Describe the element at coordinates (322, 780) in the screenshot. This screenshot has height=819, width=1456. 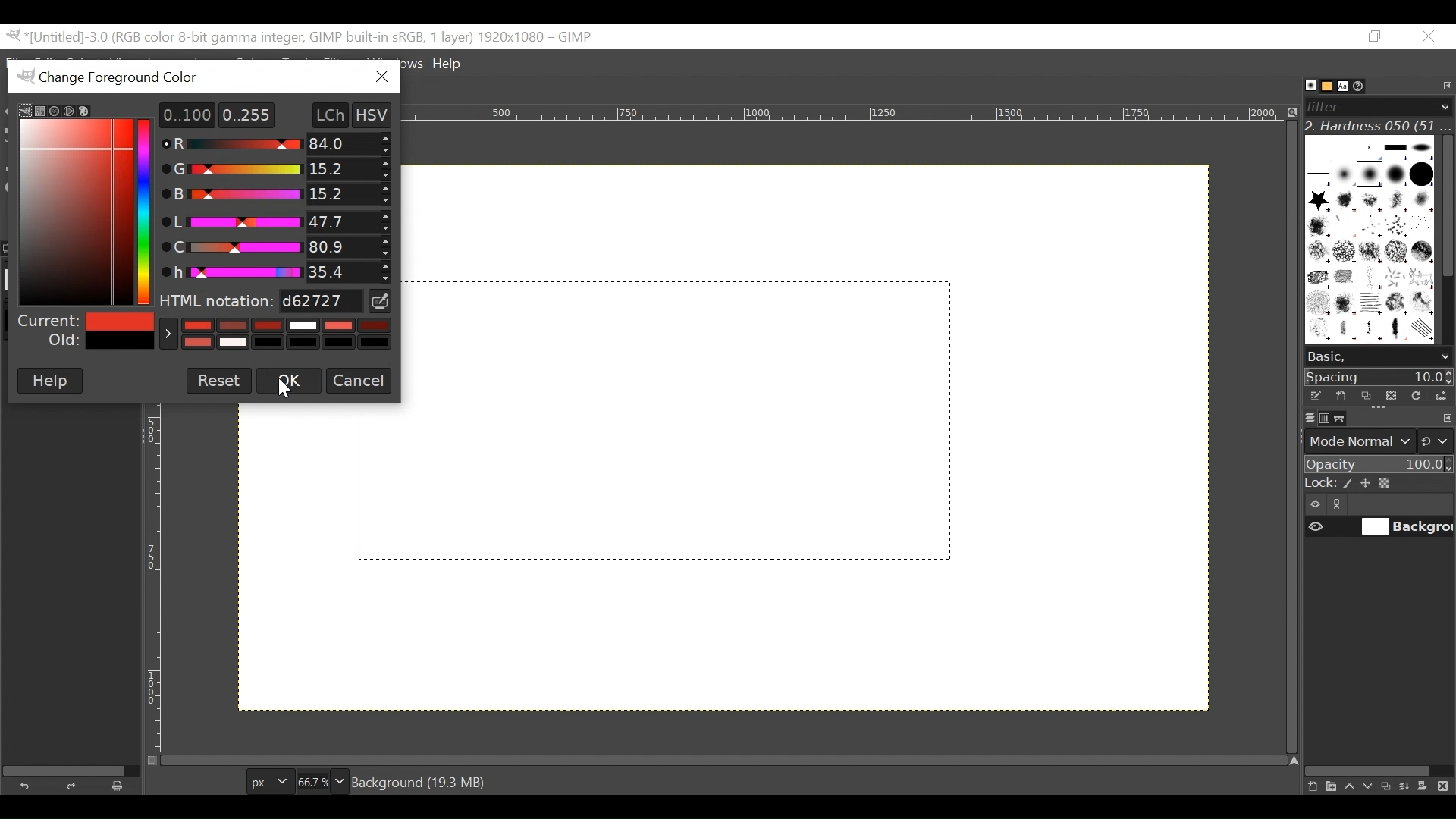
I see `Zoom factor` at that location.